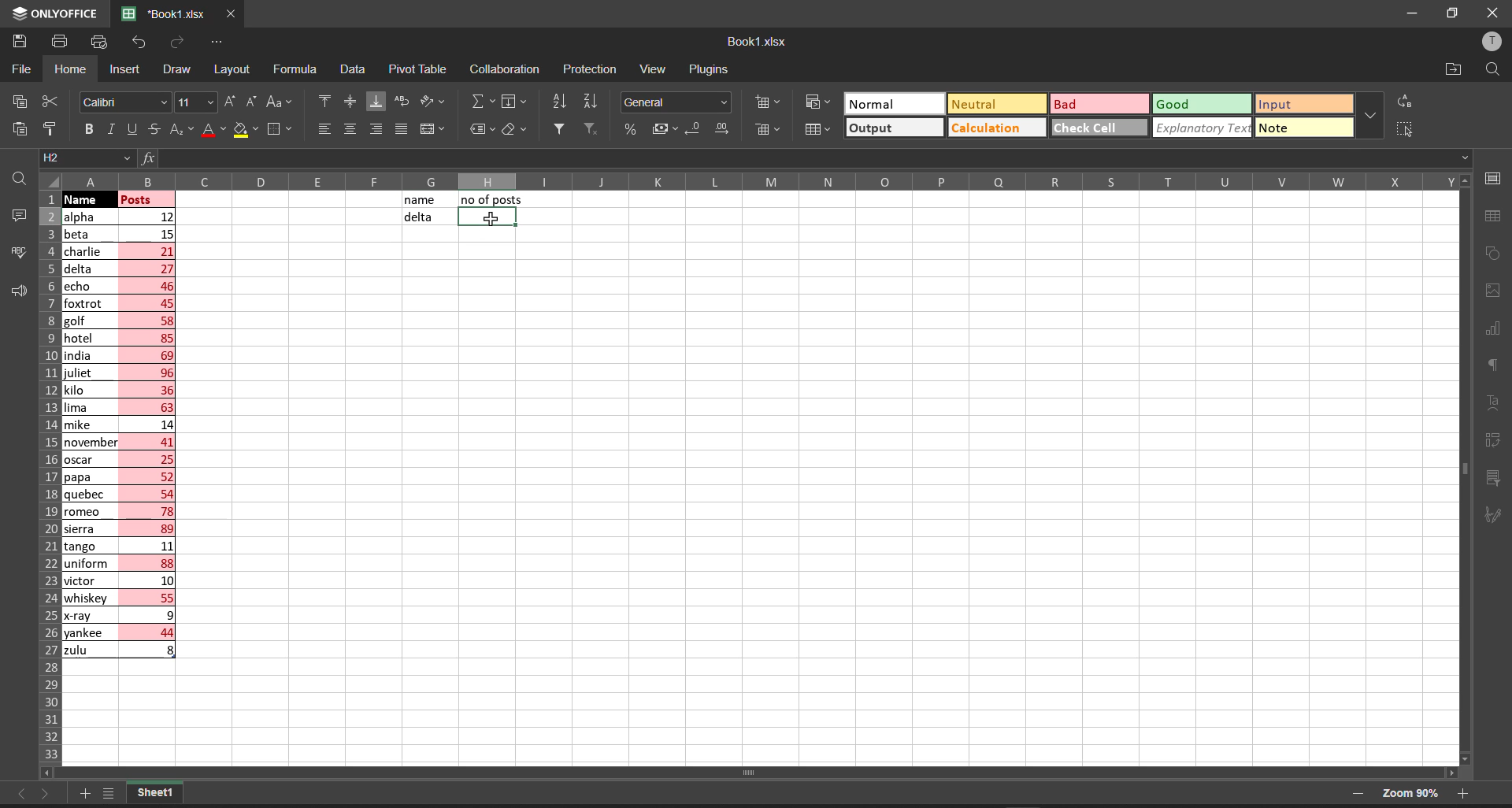 The width and height of the screenshot is (1512, 808). What do you see at coordinates (23, 68) in the screenshot?
I see `file` at bounding box center [23, 68].